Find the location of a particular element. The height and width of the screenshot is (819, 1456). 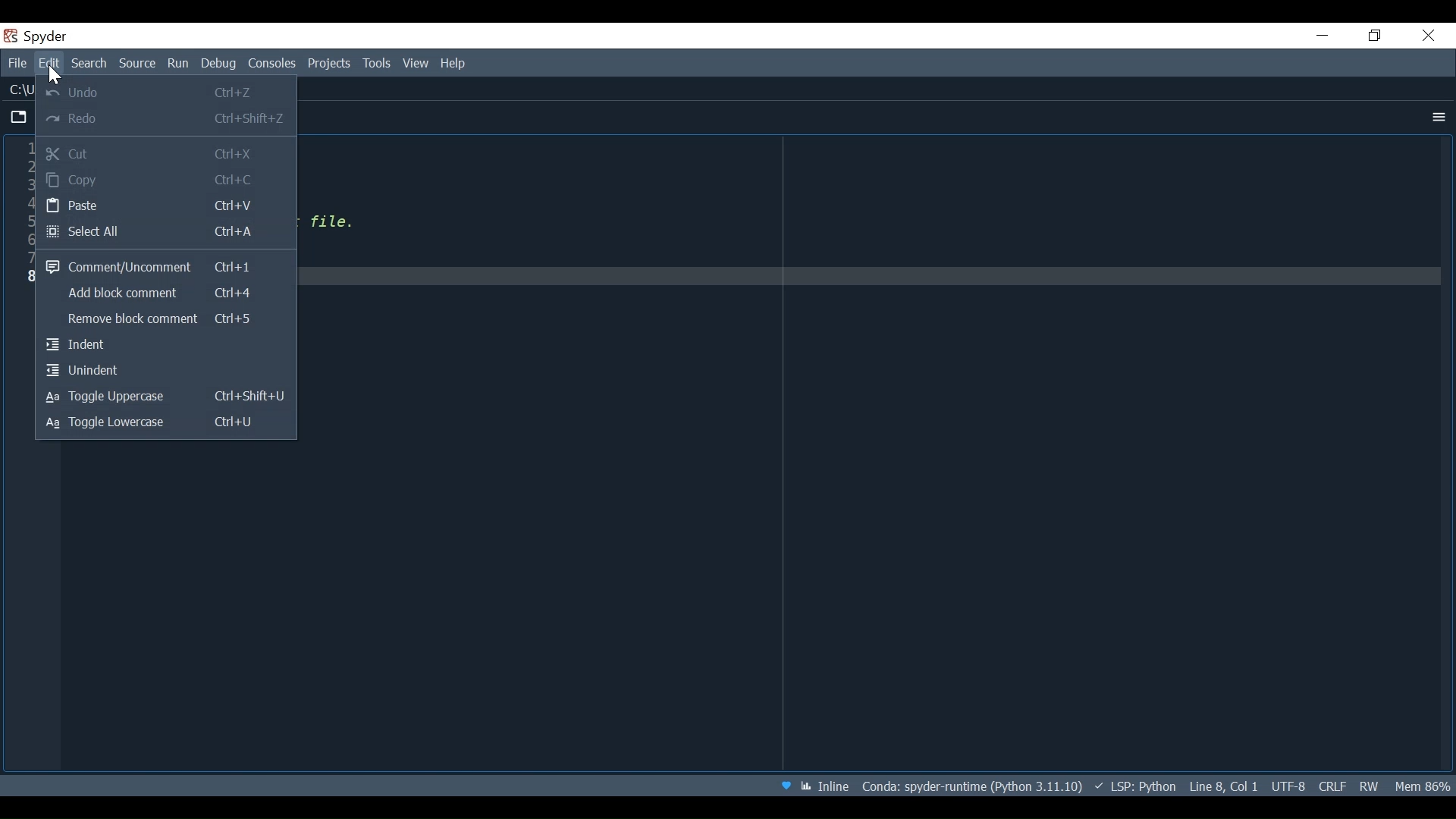

Copy is located at coordinates (103, 179).